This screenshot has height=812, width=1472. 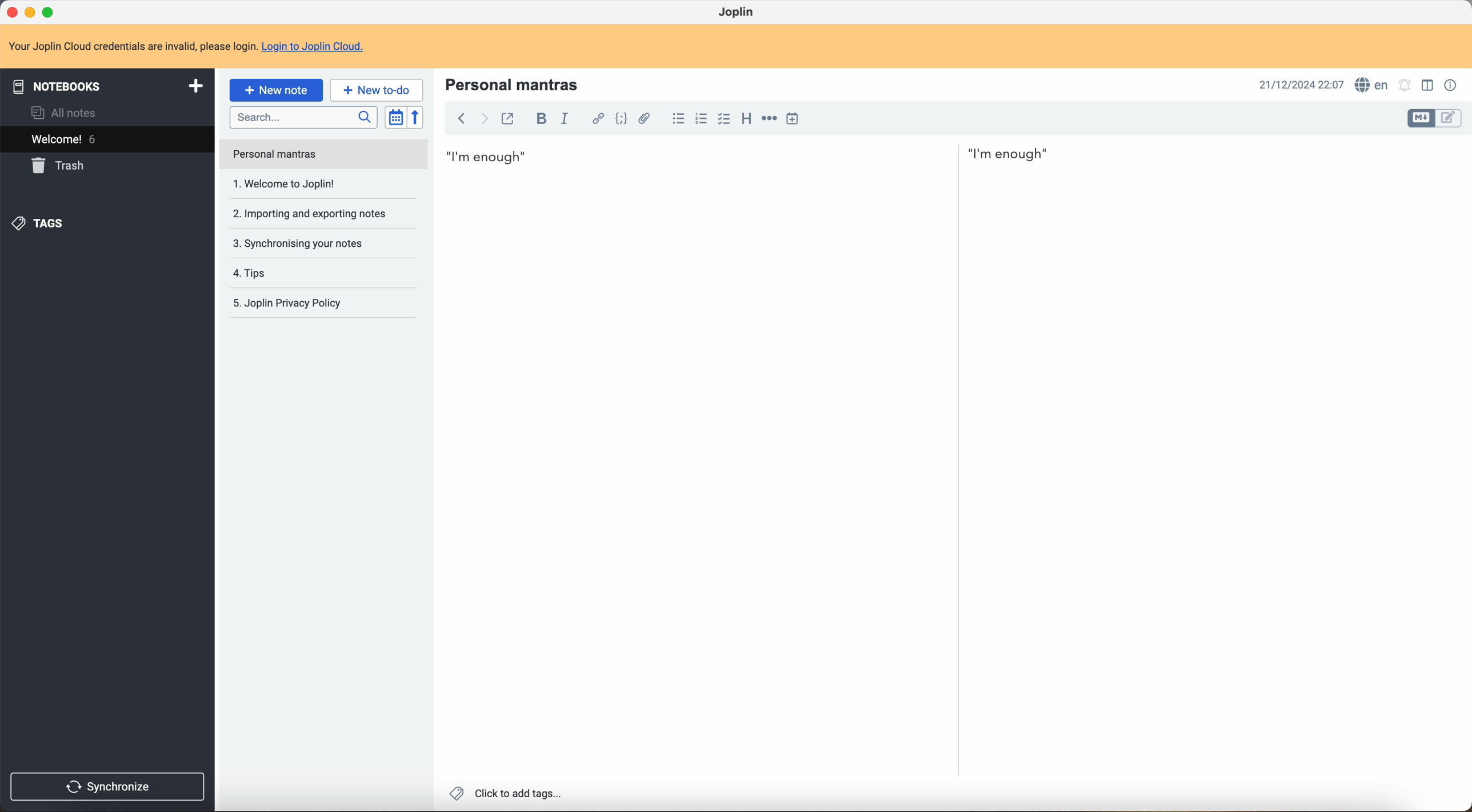 What do you see at coordinates (41, 225) in the screenshot?
I see `tags` at bounding box center [41, 225].